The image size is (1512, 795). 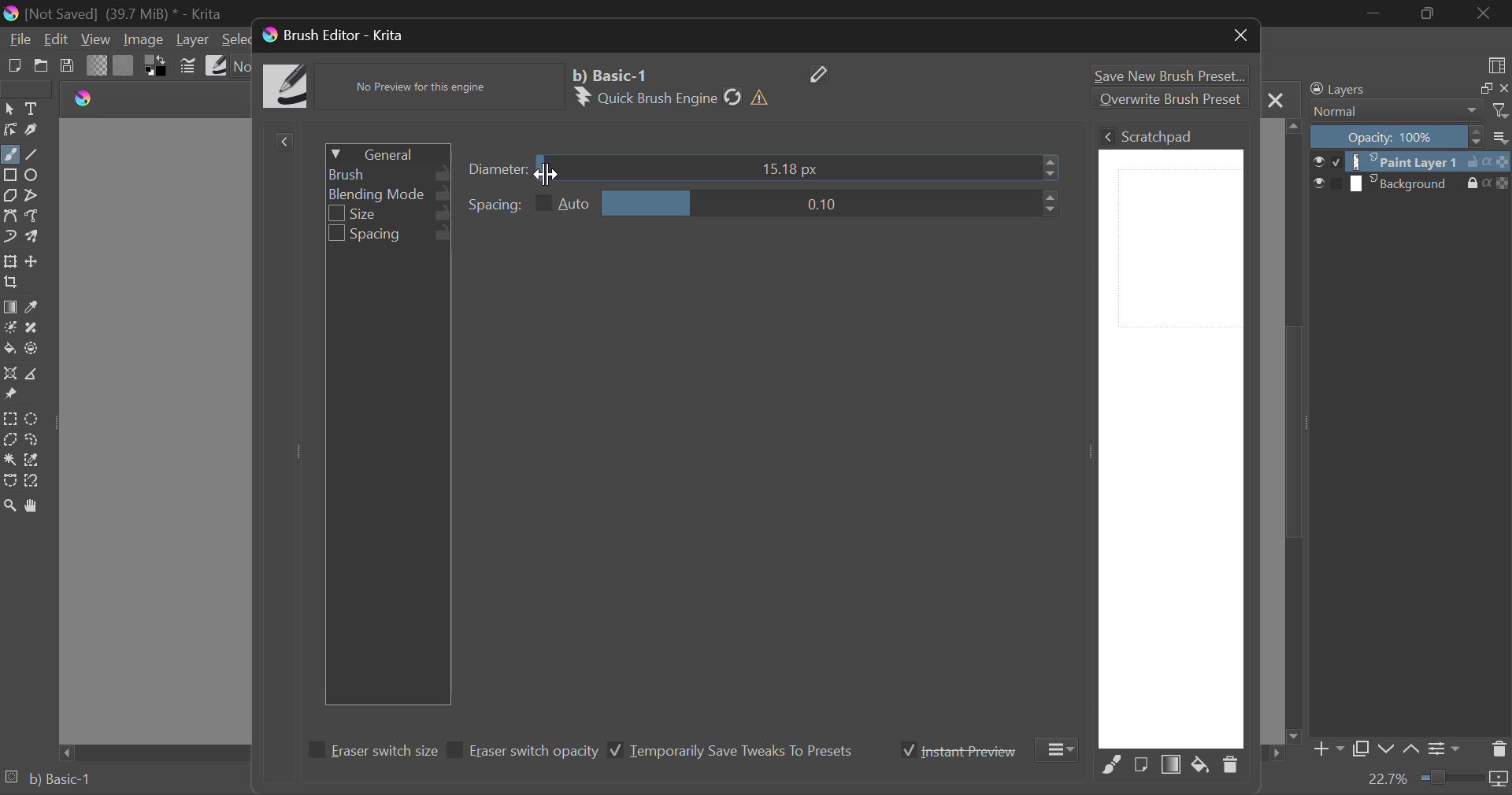 What do you see at coordinates (57, 39) in the screenshot?
I see `Edit` at bounding box center [57, 39].